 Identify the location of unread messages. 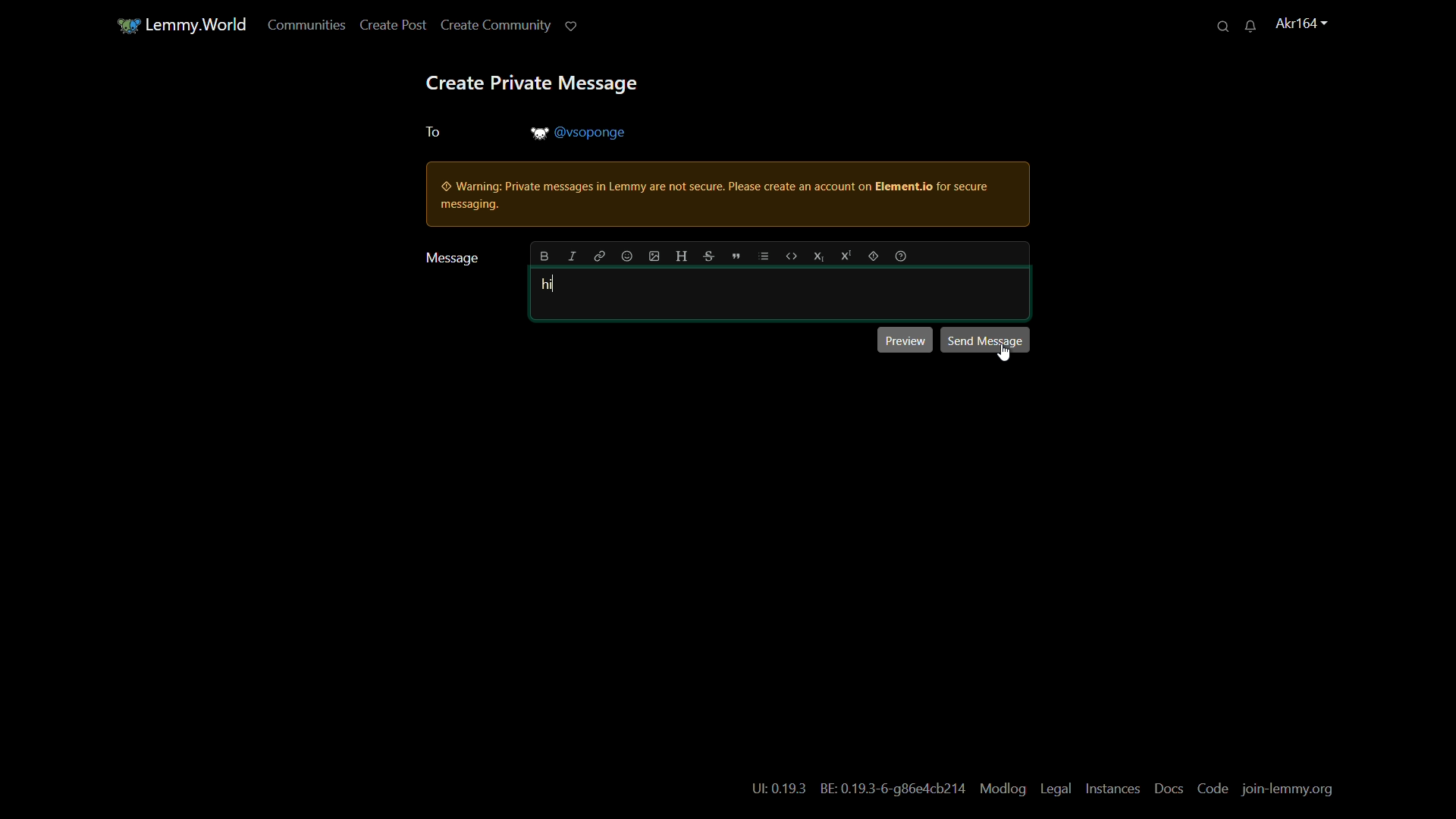
(1244, 25).